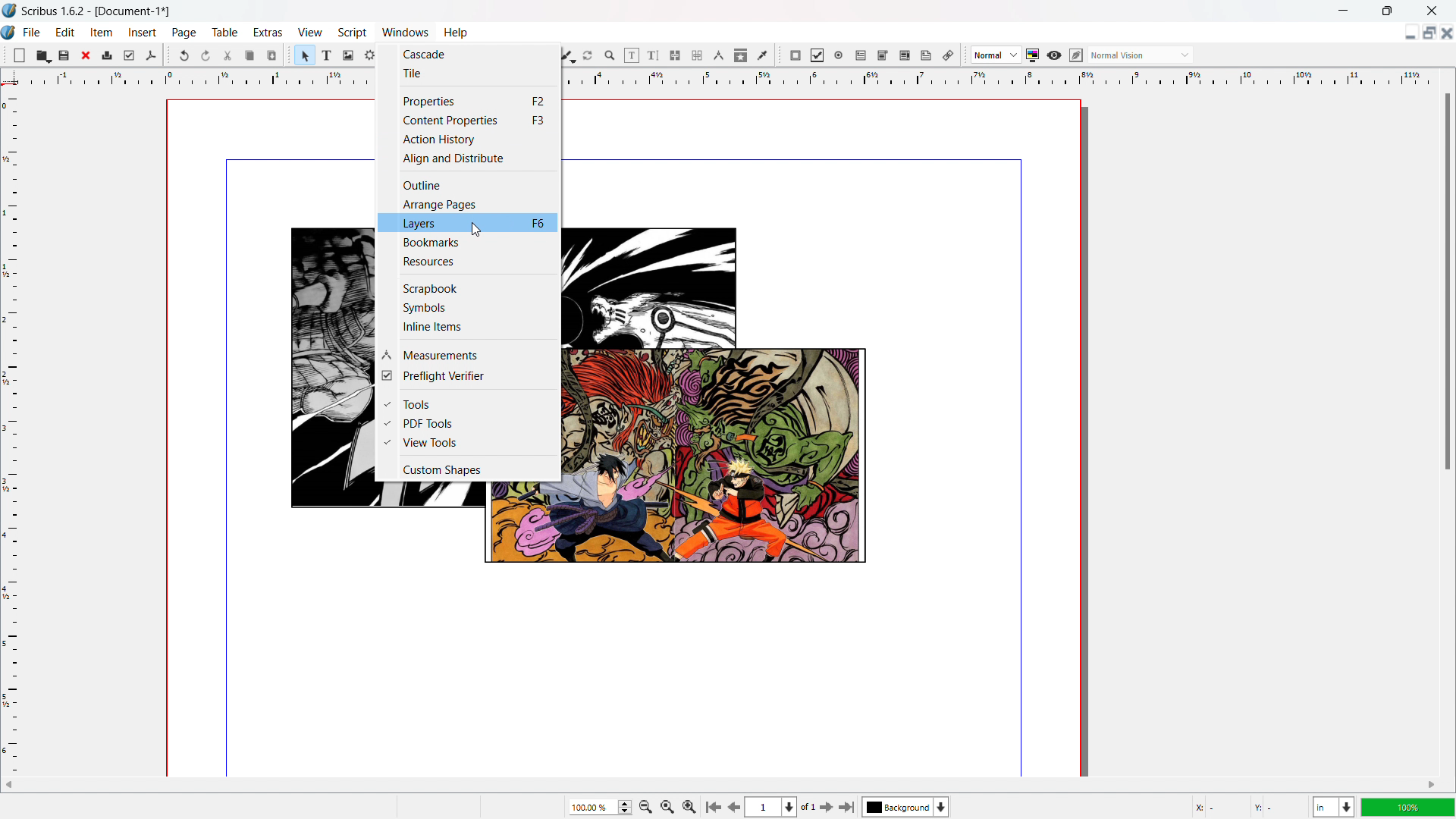 The image size is (1456, 819). I want to click on resources, so click(467, 262).